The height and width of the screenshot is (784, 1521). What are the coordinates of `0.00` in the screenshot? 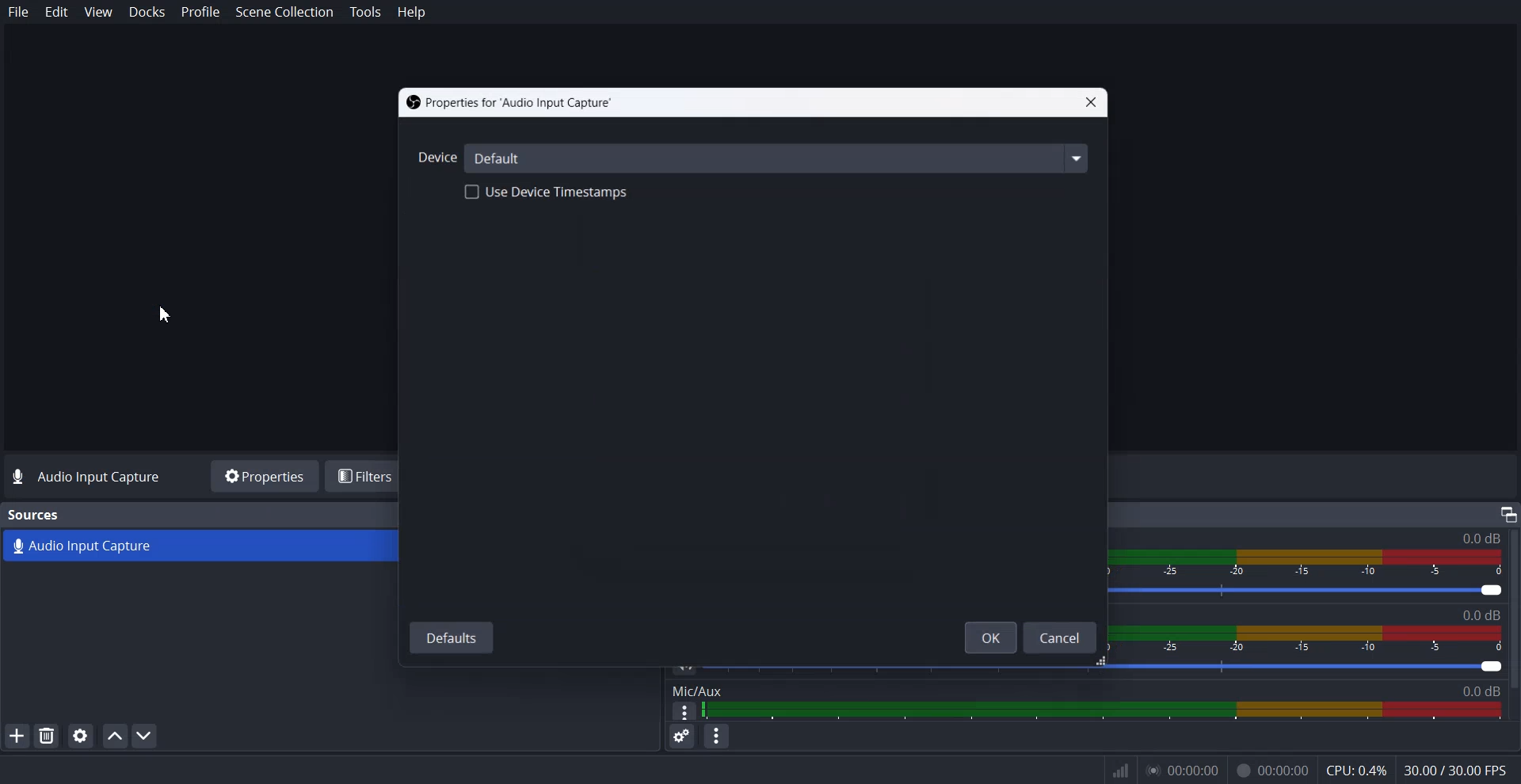 It's located at (1180, 771).